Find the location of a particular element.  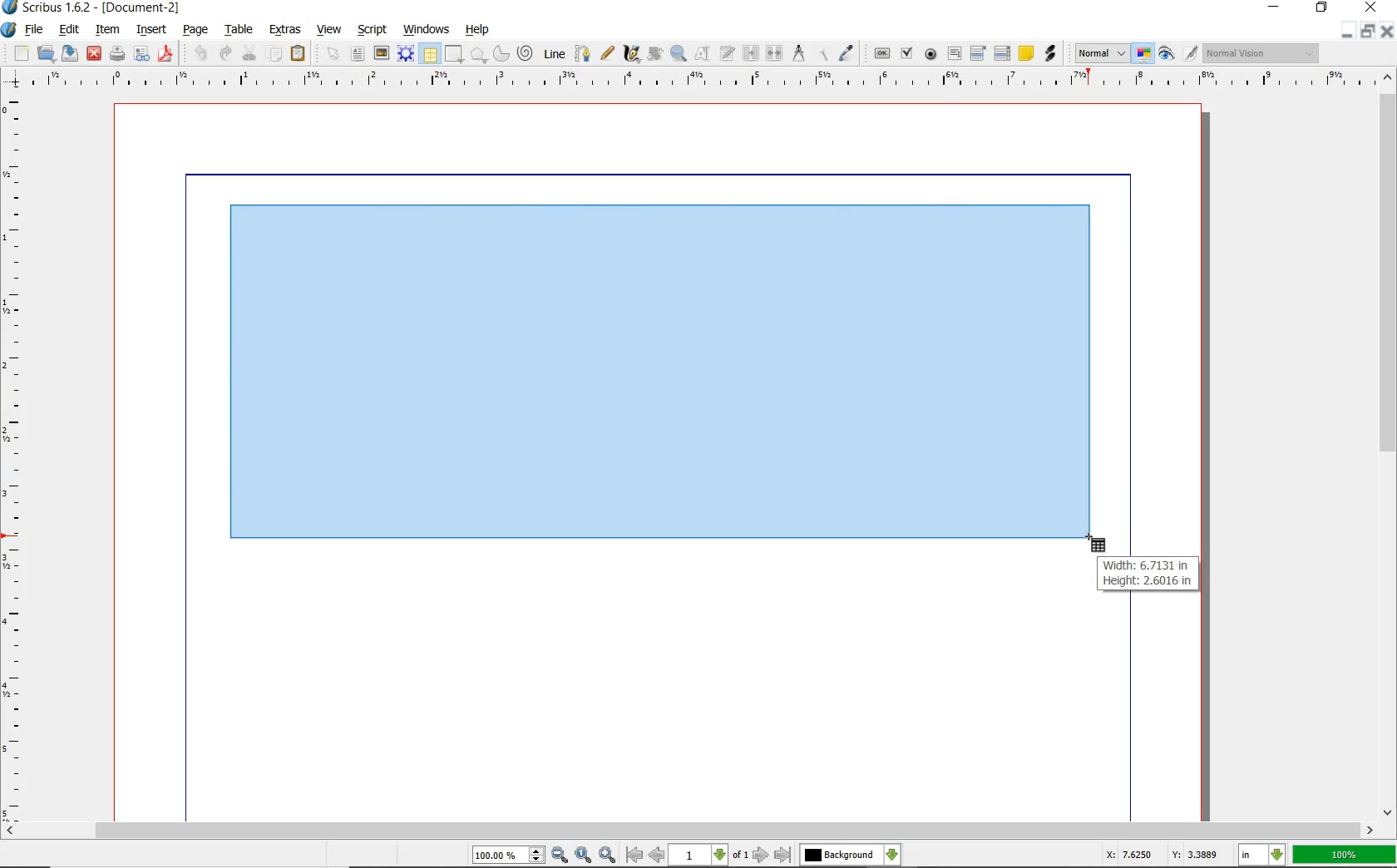

text frame is located at coordinates (358, 53).